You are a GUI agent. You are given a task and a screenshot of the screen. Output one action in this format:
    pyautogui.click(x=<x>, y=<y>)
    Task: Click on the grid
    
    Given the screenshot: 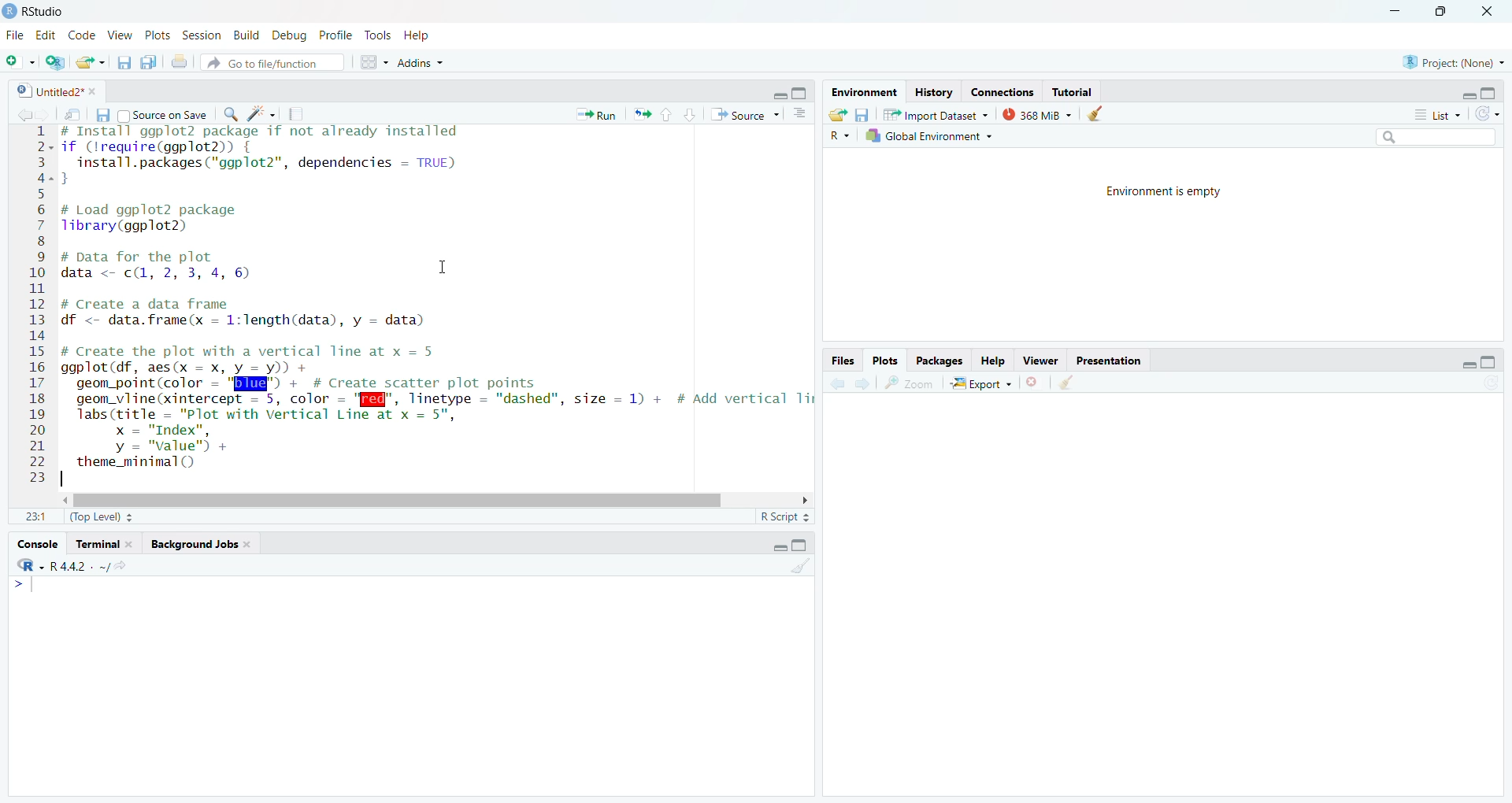 What is the action you would take?
    pyautogui.click(x=367, y=64)
    